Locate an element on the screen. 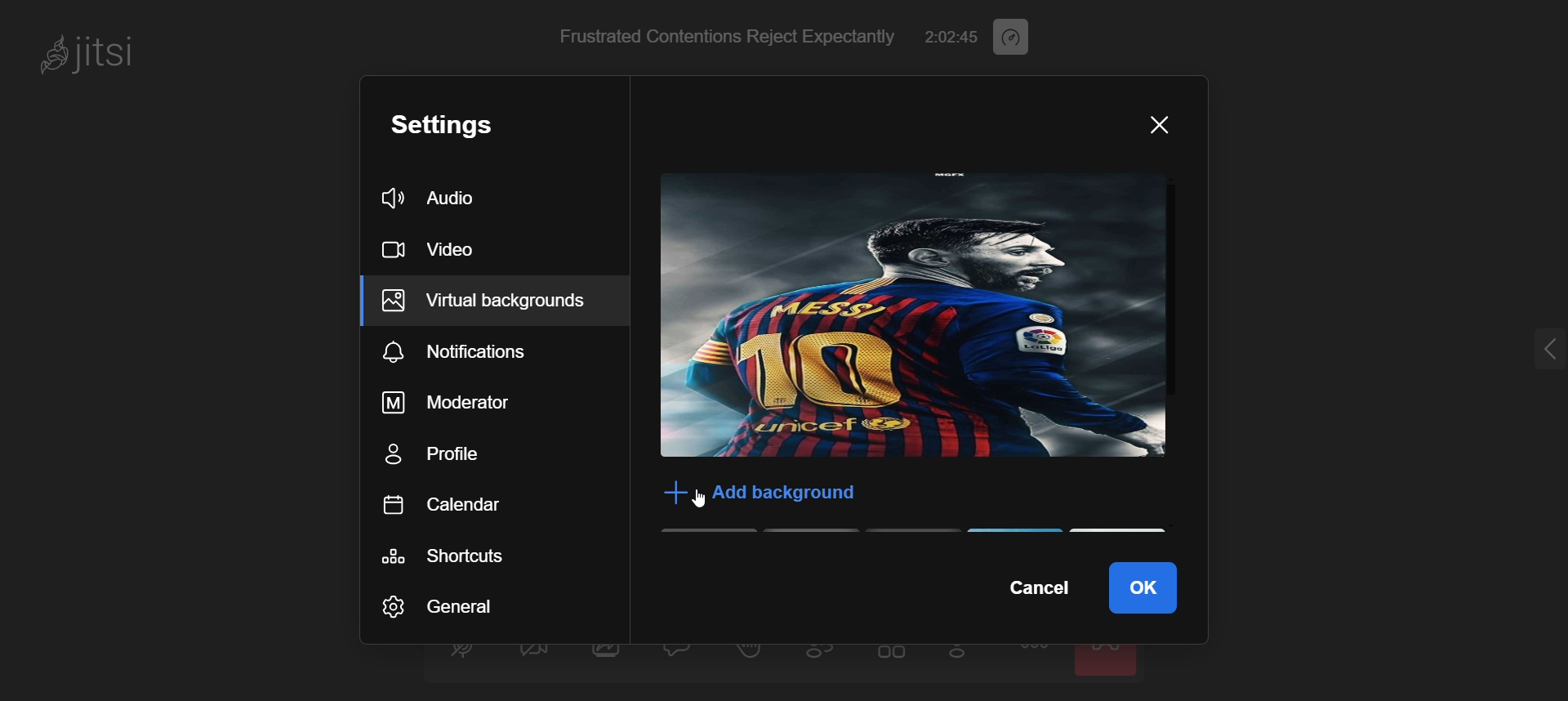 This screenshot has height=701, width=1568. cursor is located at coordinates (699, 498).